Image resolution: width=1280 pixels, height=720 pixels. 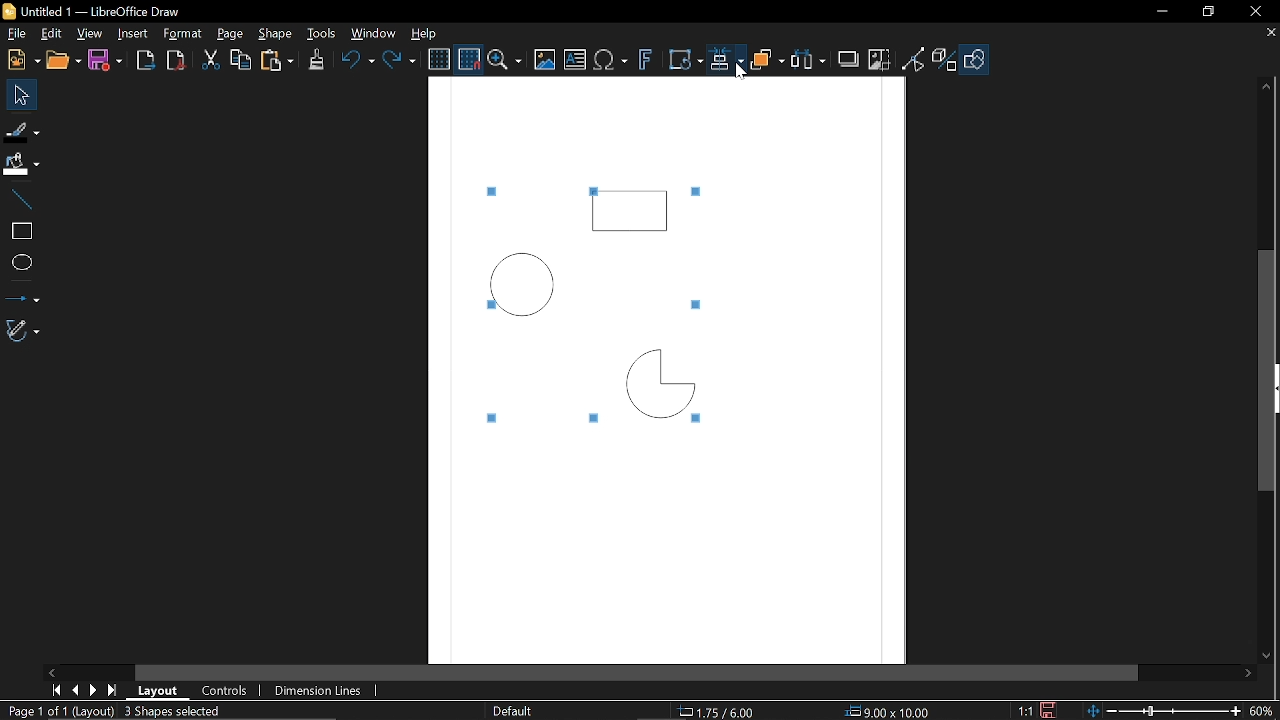 What do you see at coordinates (975, 60) in the screenshot?
I see `Shapes` at bounding box center [975, 60].